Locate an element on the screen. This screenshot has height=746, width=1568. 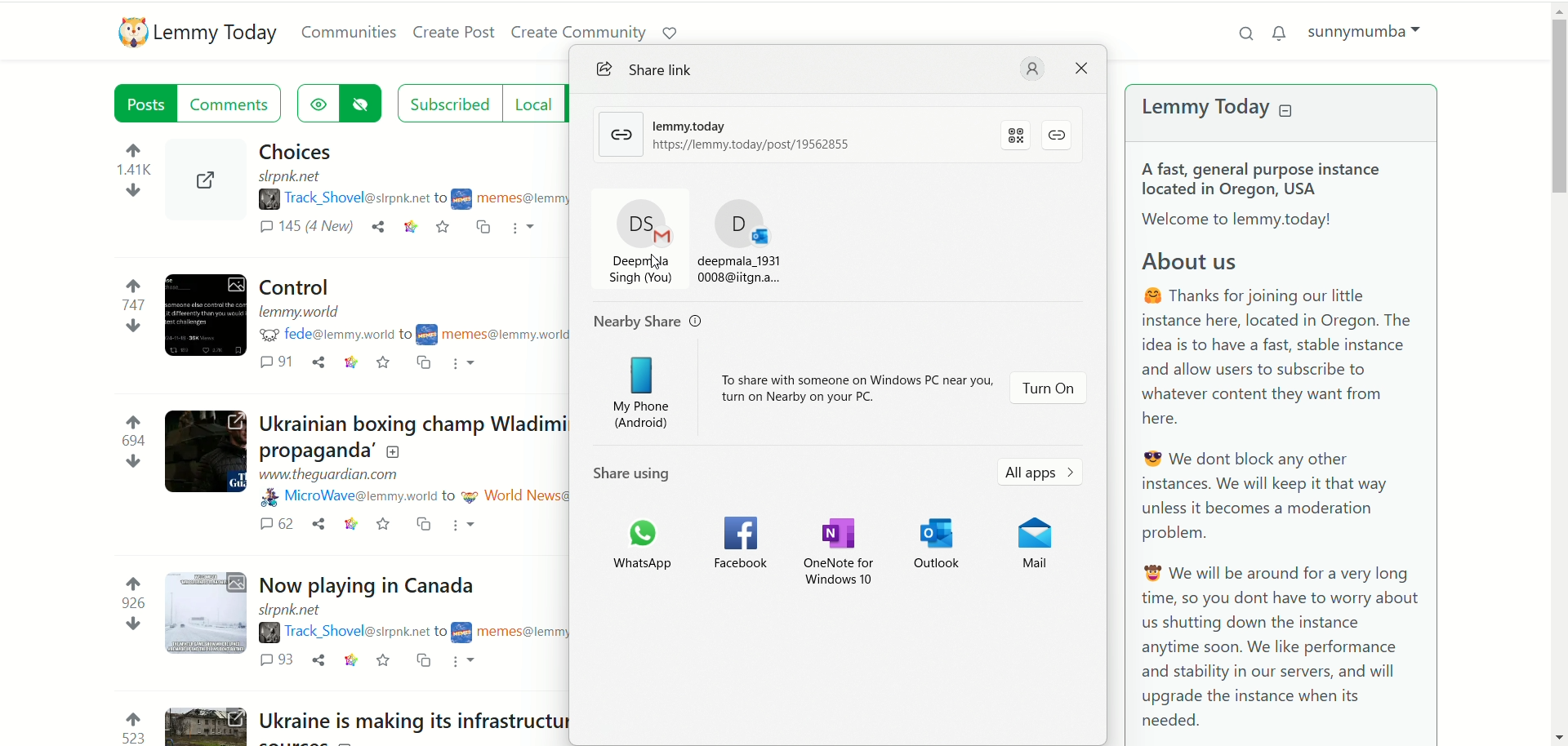
share is located at coordinates (318, 362).